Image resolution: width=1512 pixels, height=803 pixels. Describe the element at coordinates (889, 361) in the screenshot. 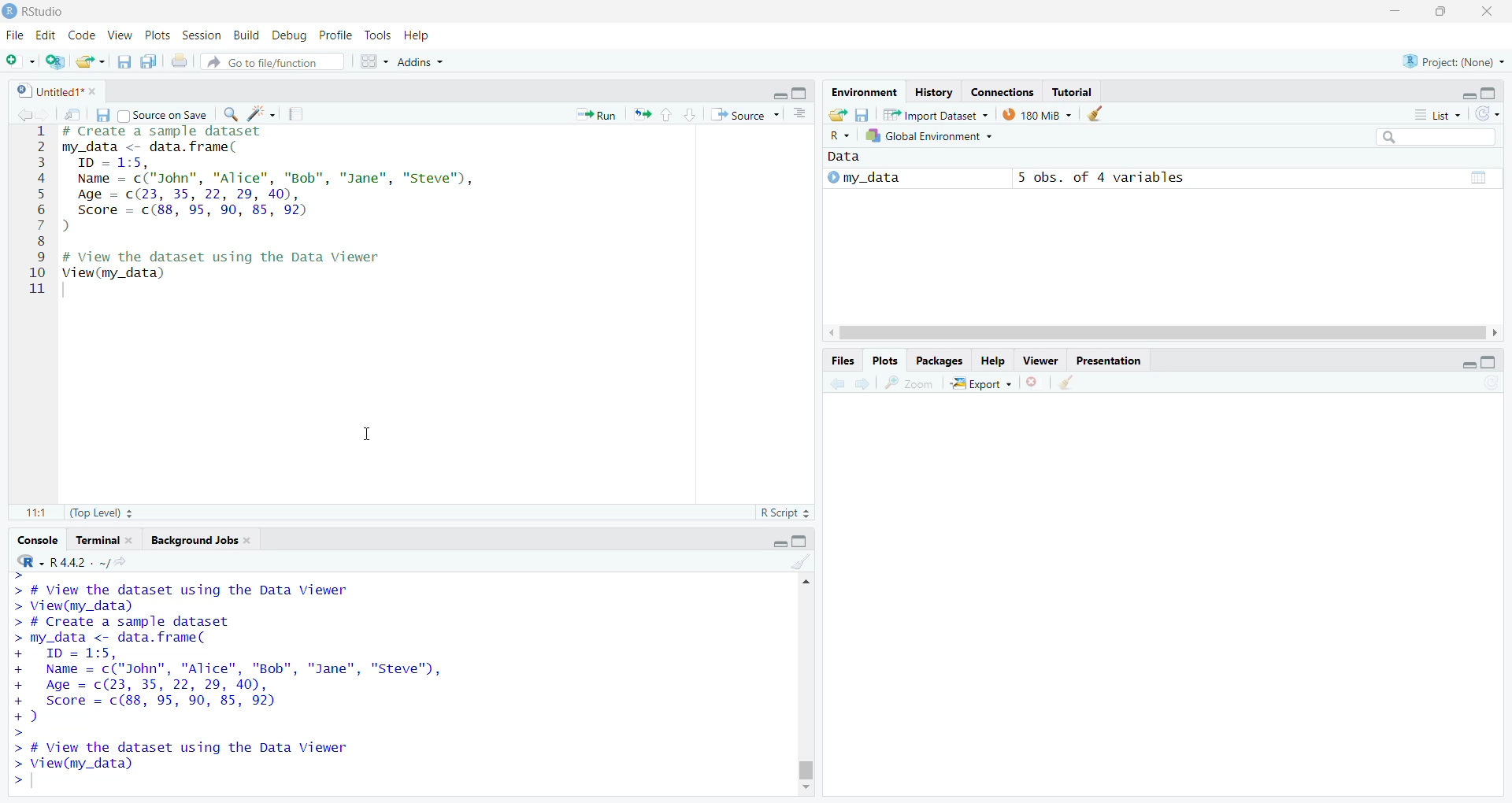

I see `Plots` at that location.